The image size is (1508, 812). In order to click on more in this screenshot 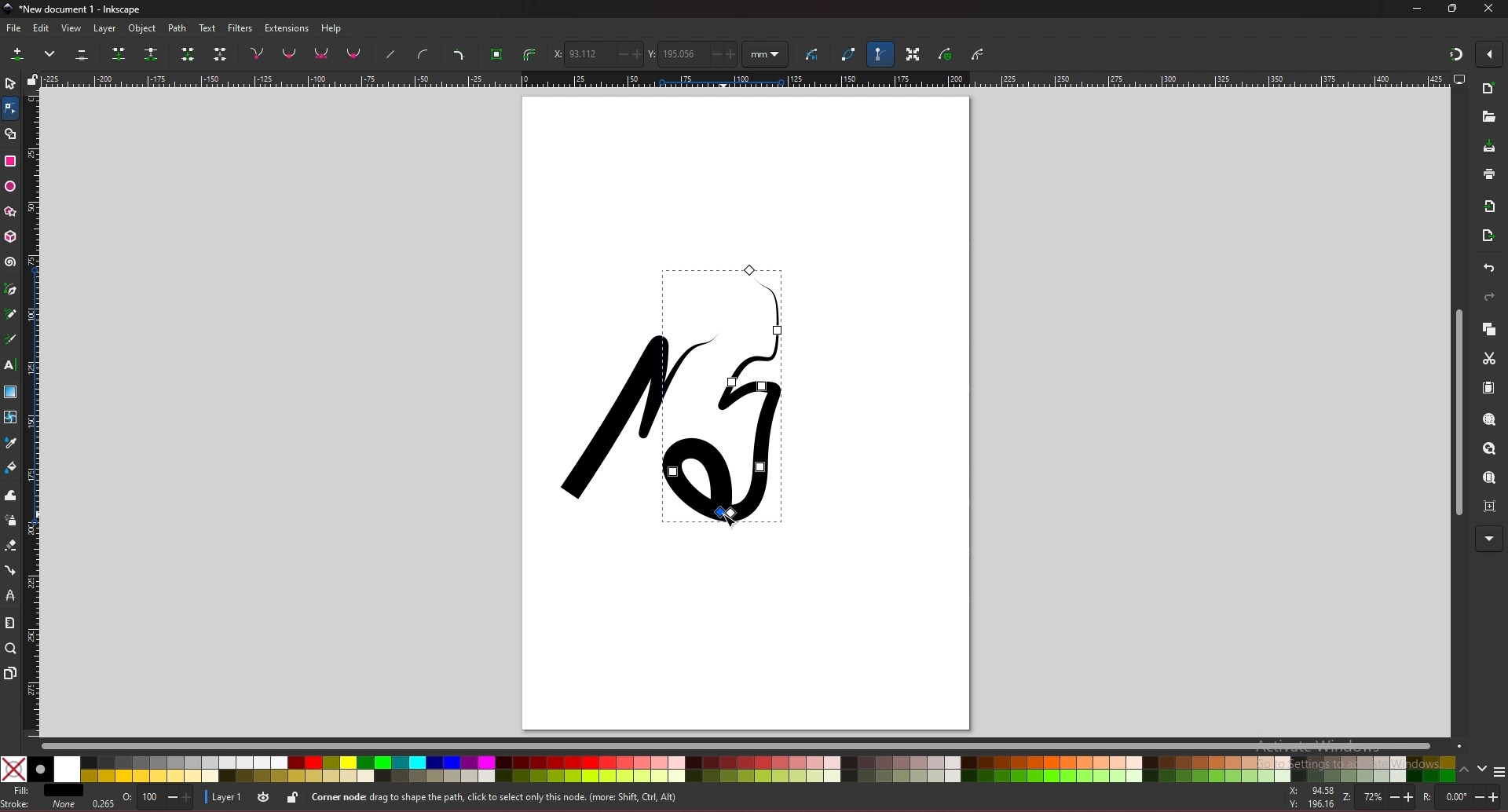, I will do `click(51, 53)`.